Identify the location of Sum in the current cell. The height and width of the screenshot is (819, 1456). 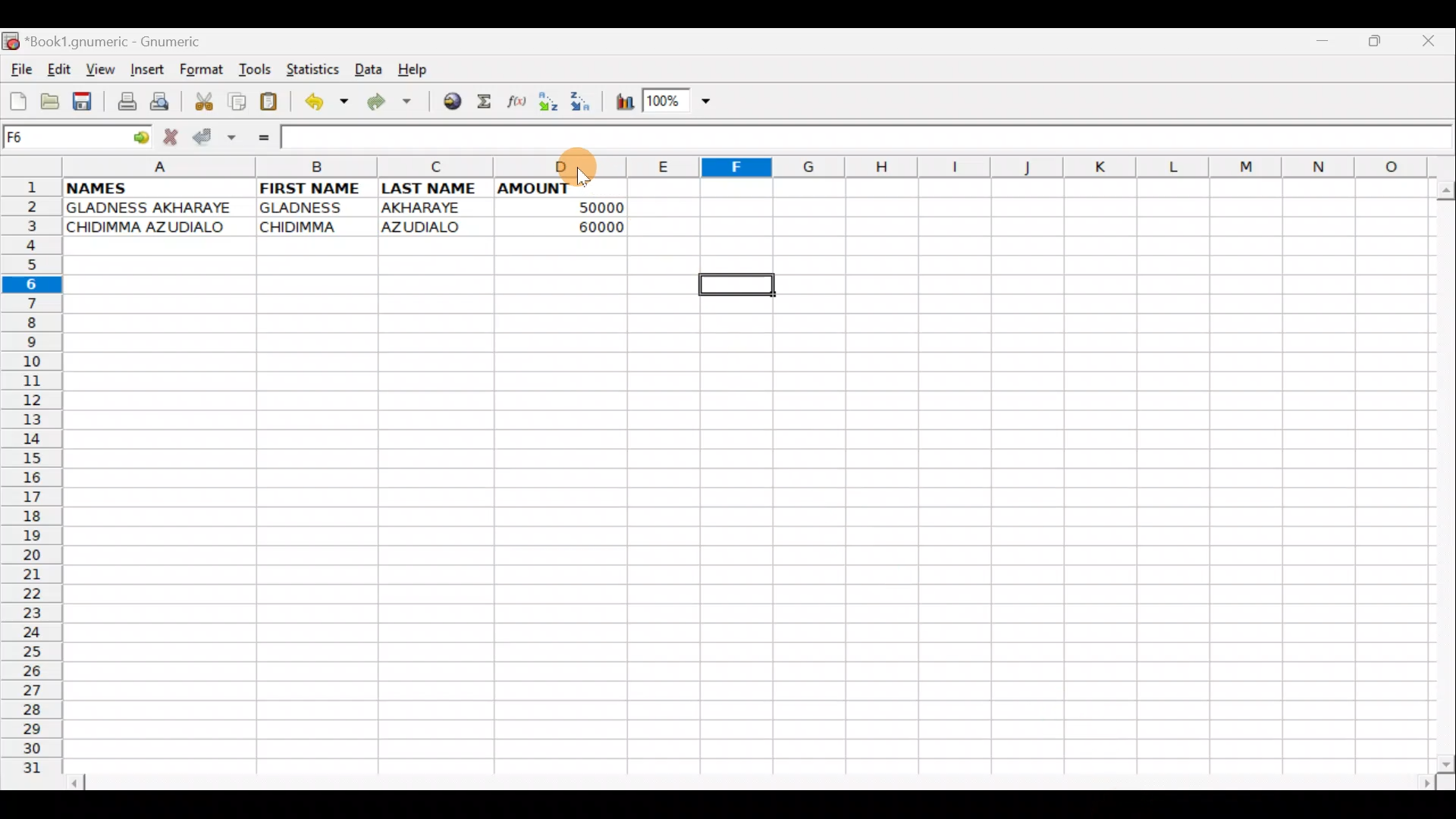
(485, 102).